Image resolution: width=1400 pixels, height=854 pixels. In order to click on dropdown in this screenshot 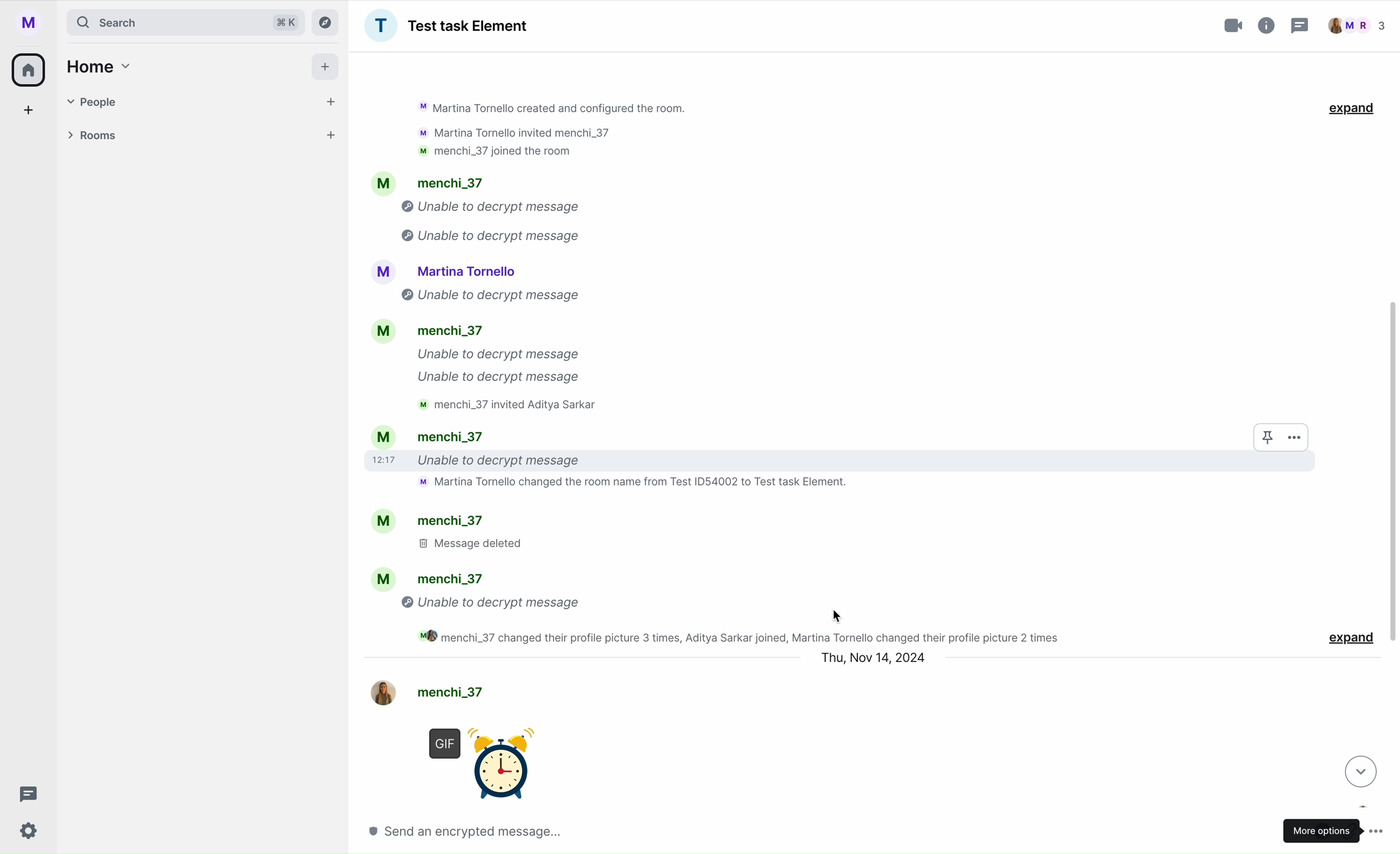, I will do `click(1358, 770)`.